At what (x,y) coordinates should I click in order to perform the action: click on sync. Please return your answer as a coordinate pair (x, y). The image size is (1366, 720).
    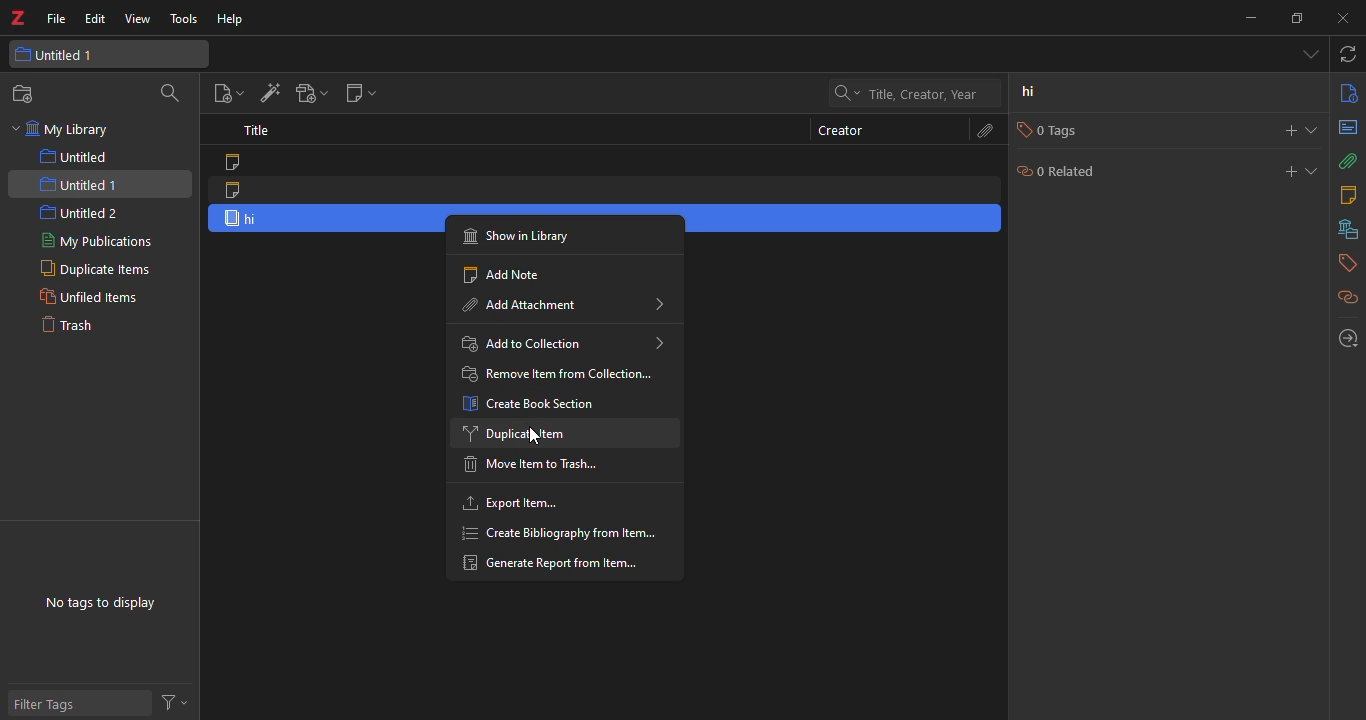
    Looking at the image, I should click on (1346, 53).